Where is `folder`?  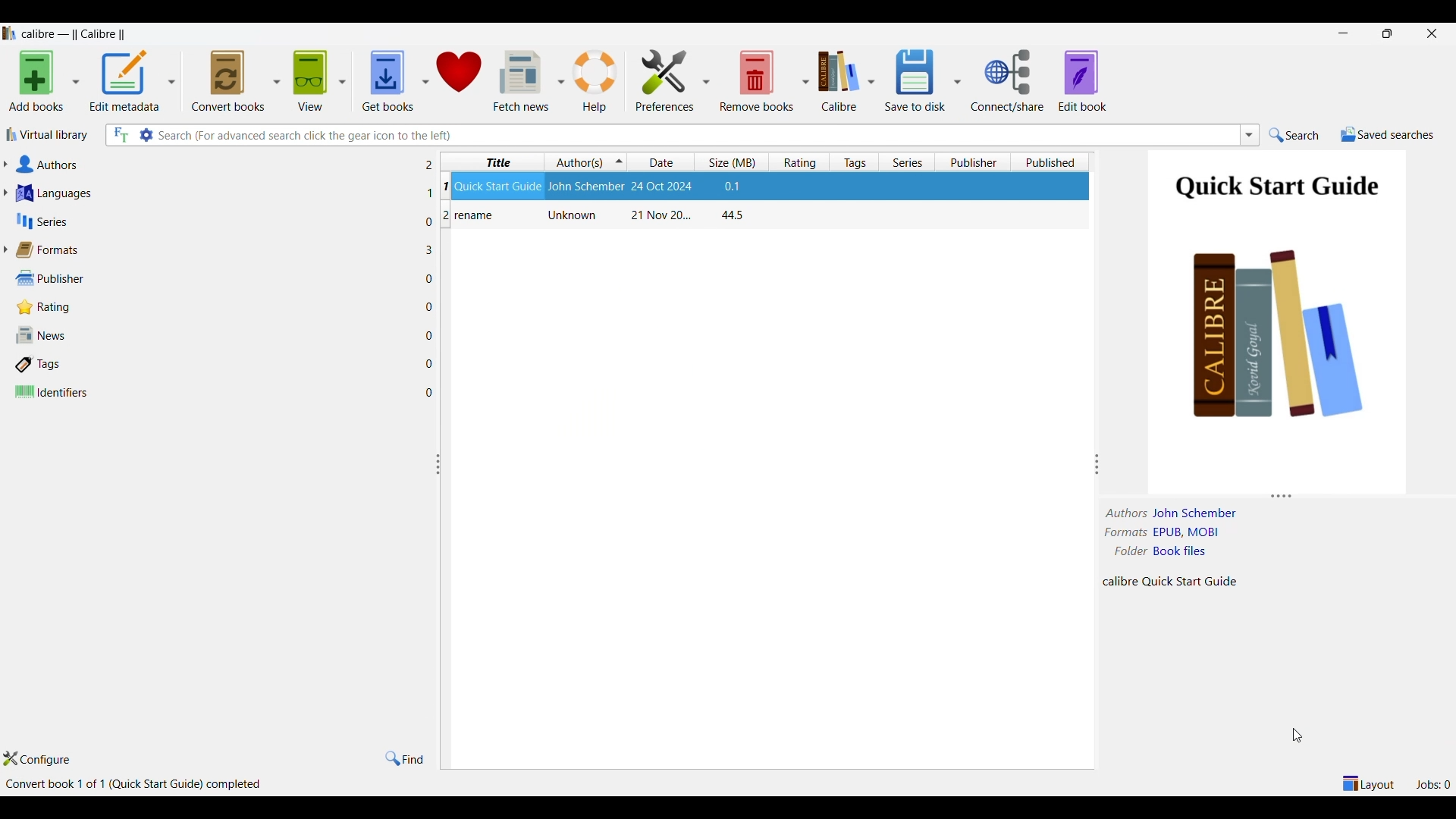 folder is located at coordinates (1131, 551).